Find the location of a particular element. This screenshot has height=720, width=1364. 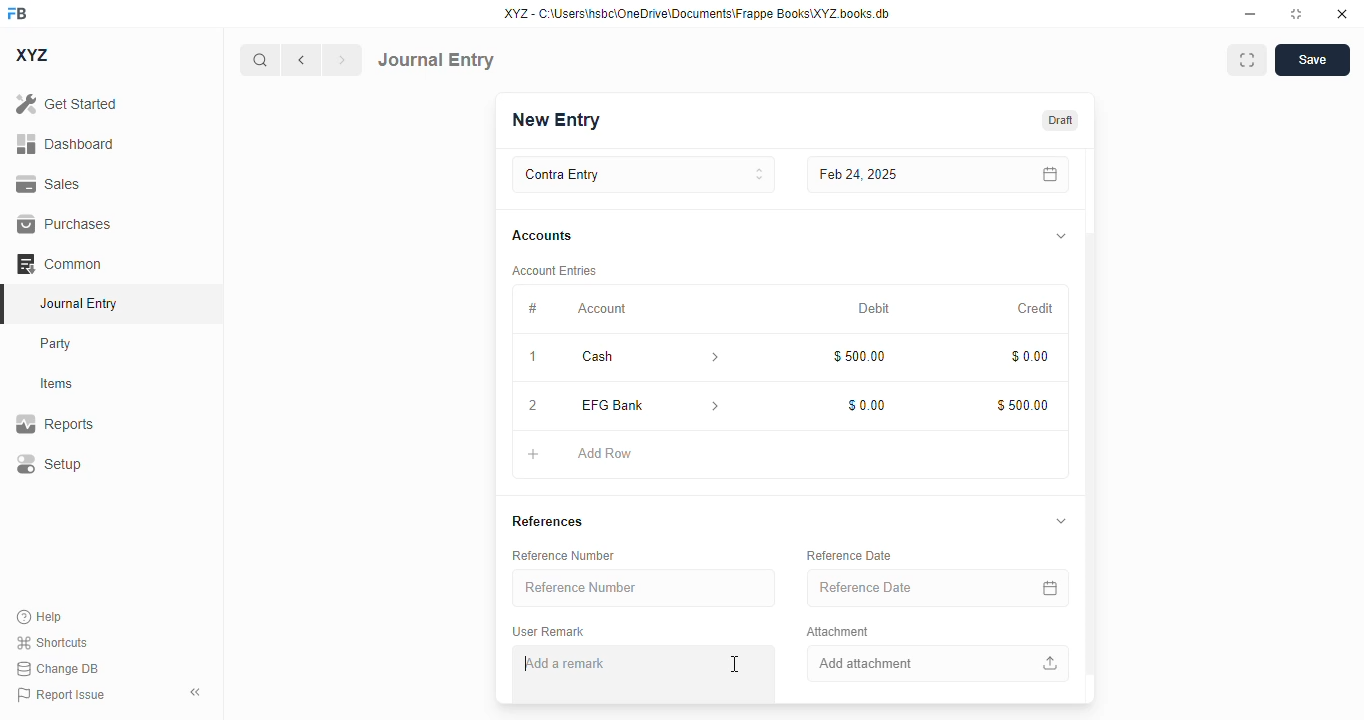

cursor is located at coordinates (734, 664).